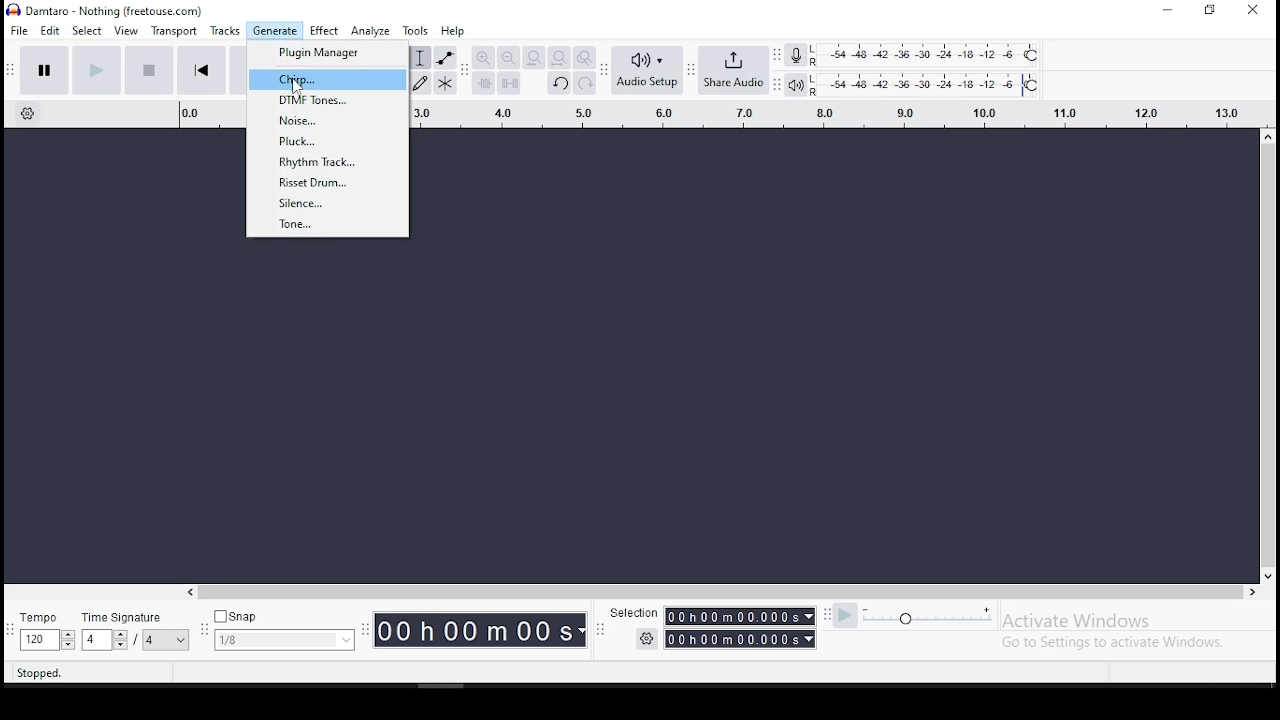 The image size is (1280, 720). Describe the element at coordinates (89, 32) in the screenshot. I see `select` at that location.